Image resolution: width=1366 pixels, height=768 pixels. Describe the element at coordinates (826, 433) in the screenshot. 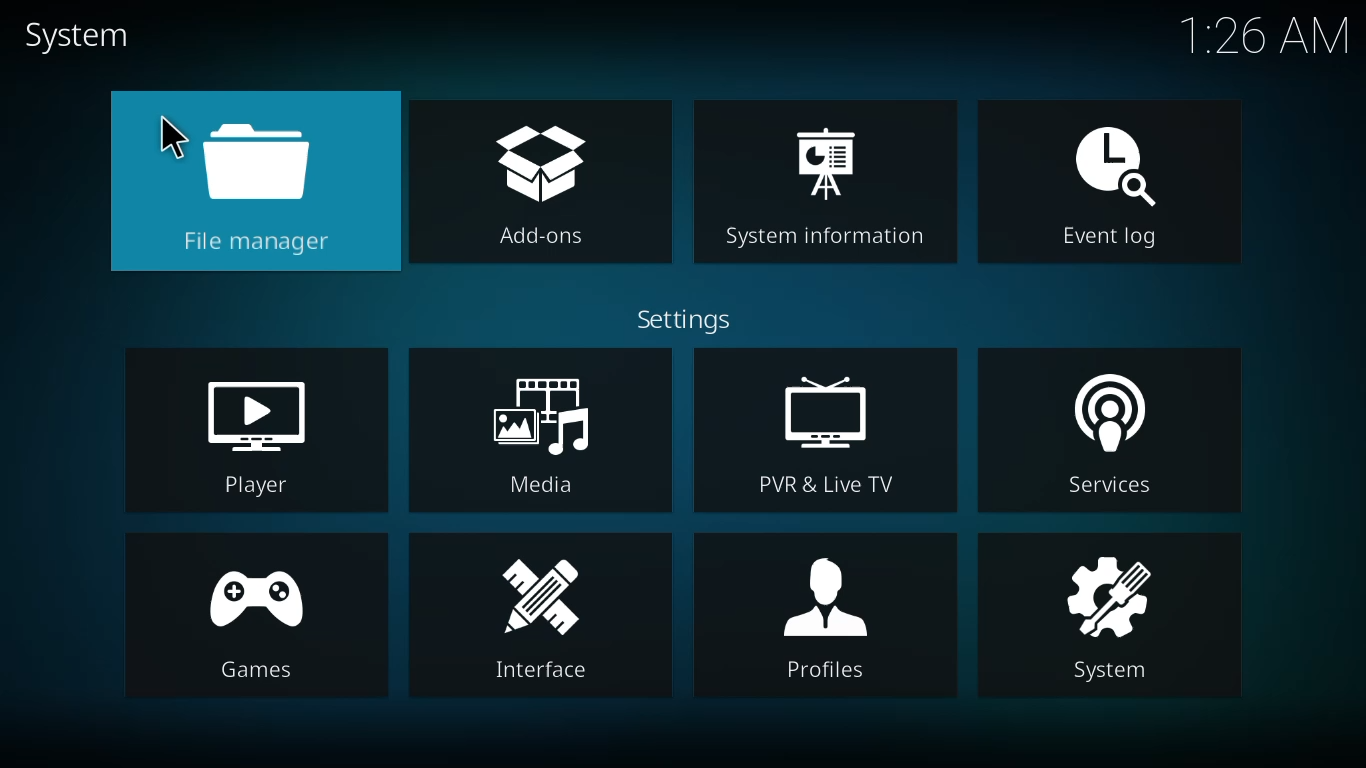

I see `pvr & live tv` at that location.